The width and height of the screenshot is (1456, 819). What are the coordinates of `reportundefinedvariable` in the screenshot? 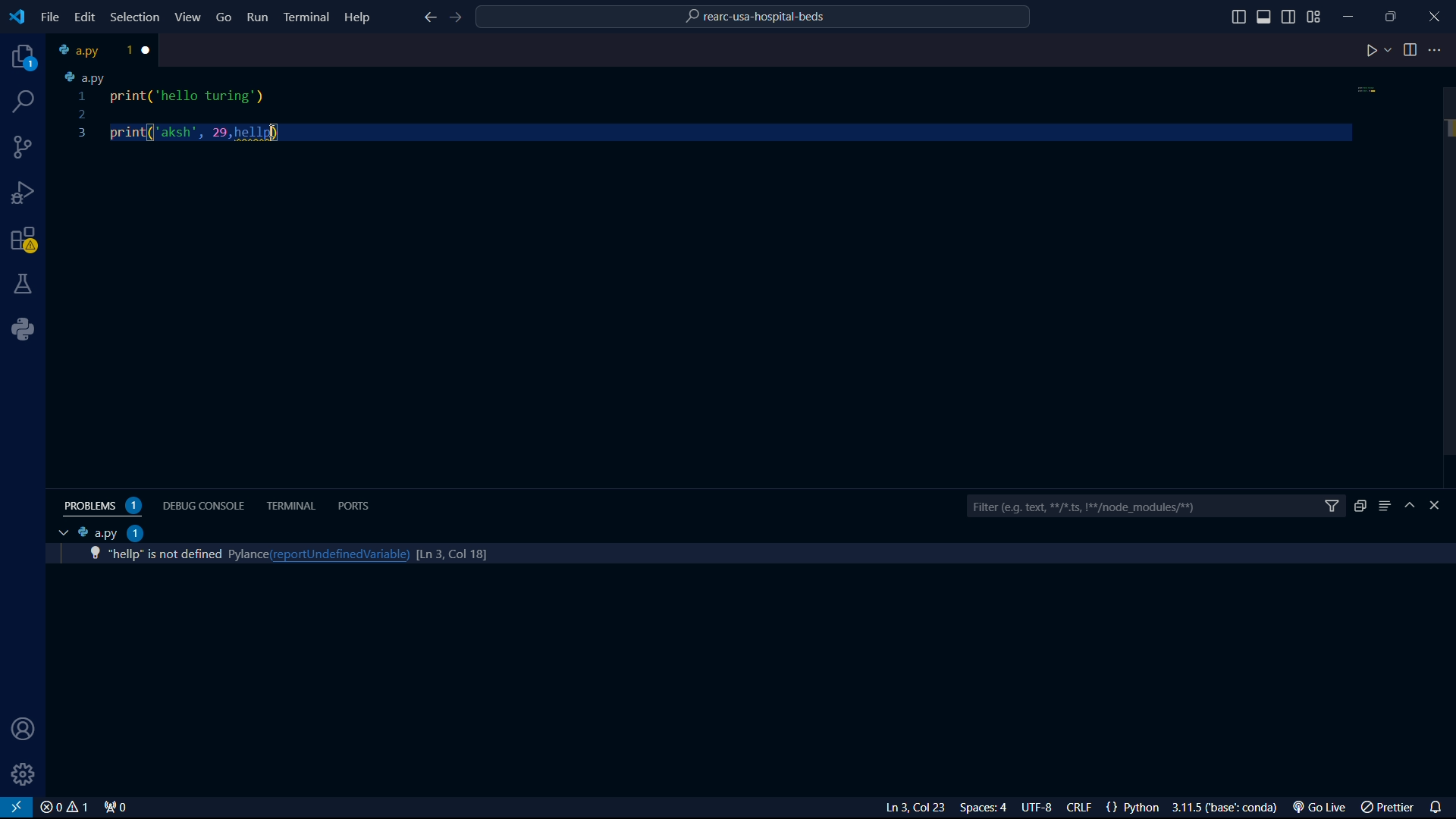 It's located at (336, 554).